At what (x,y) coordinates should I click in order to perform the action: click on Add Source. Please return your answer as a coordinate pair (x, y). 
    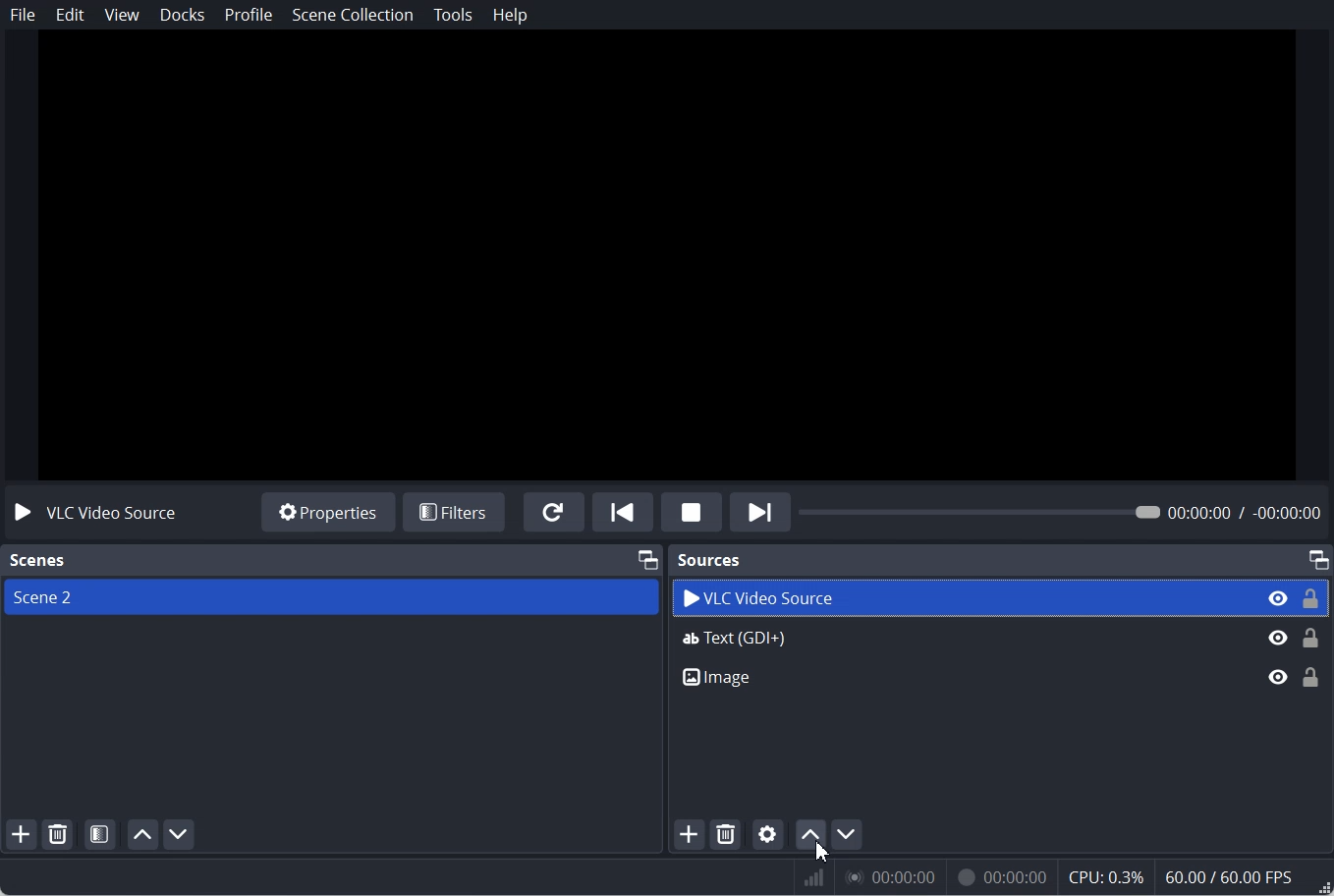
    Looking at the image, I should click on (689, 834).